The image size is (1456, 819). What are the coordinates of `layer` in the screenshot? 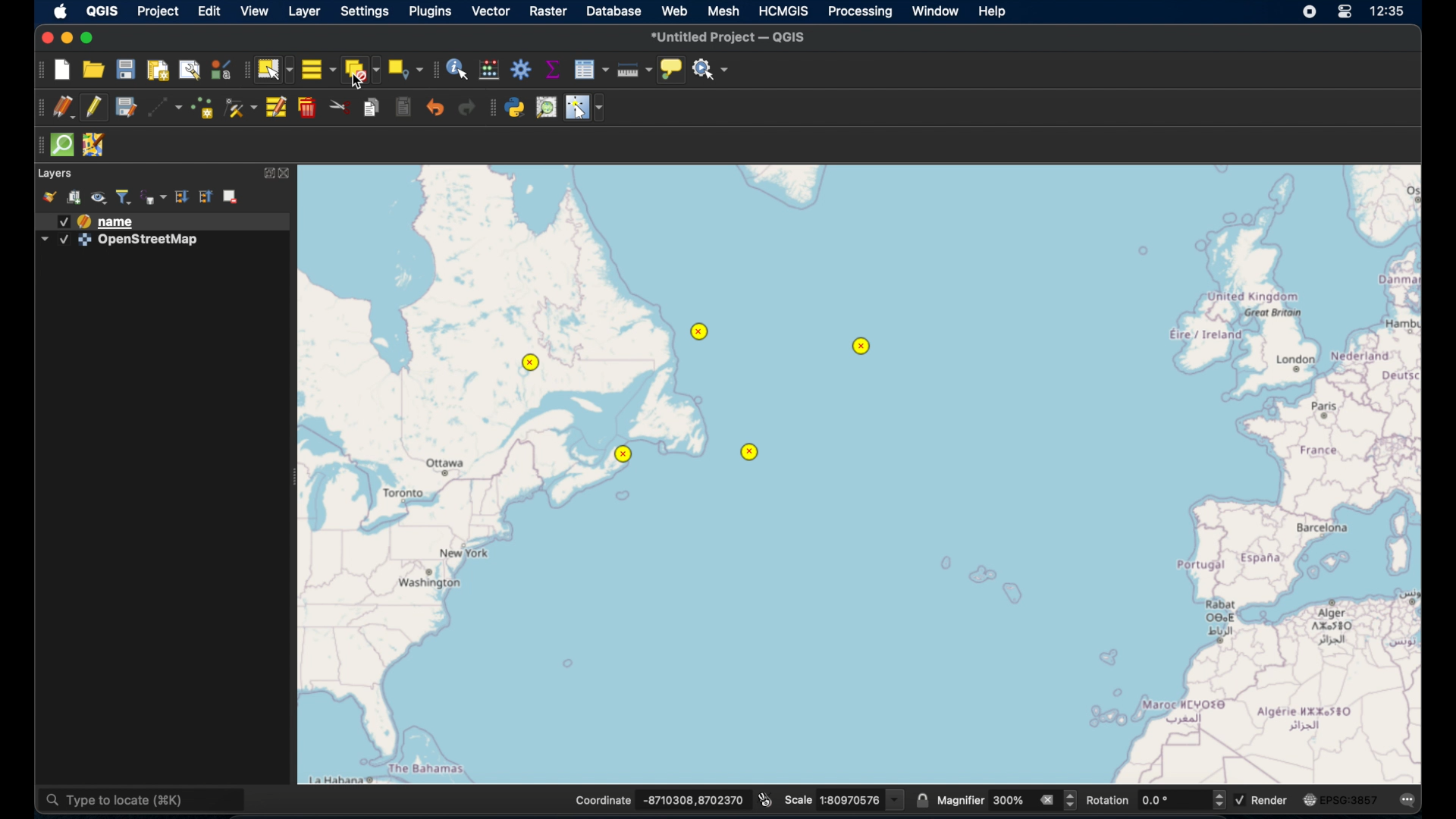 It's located at (305, 13).